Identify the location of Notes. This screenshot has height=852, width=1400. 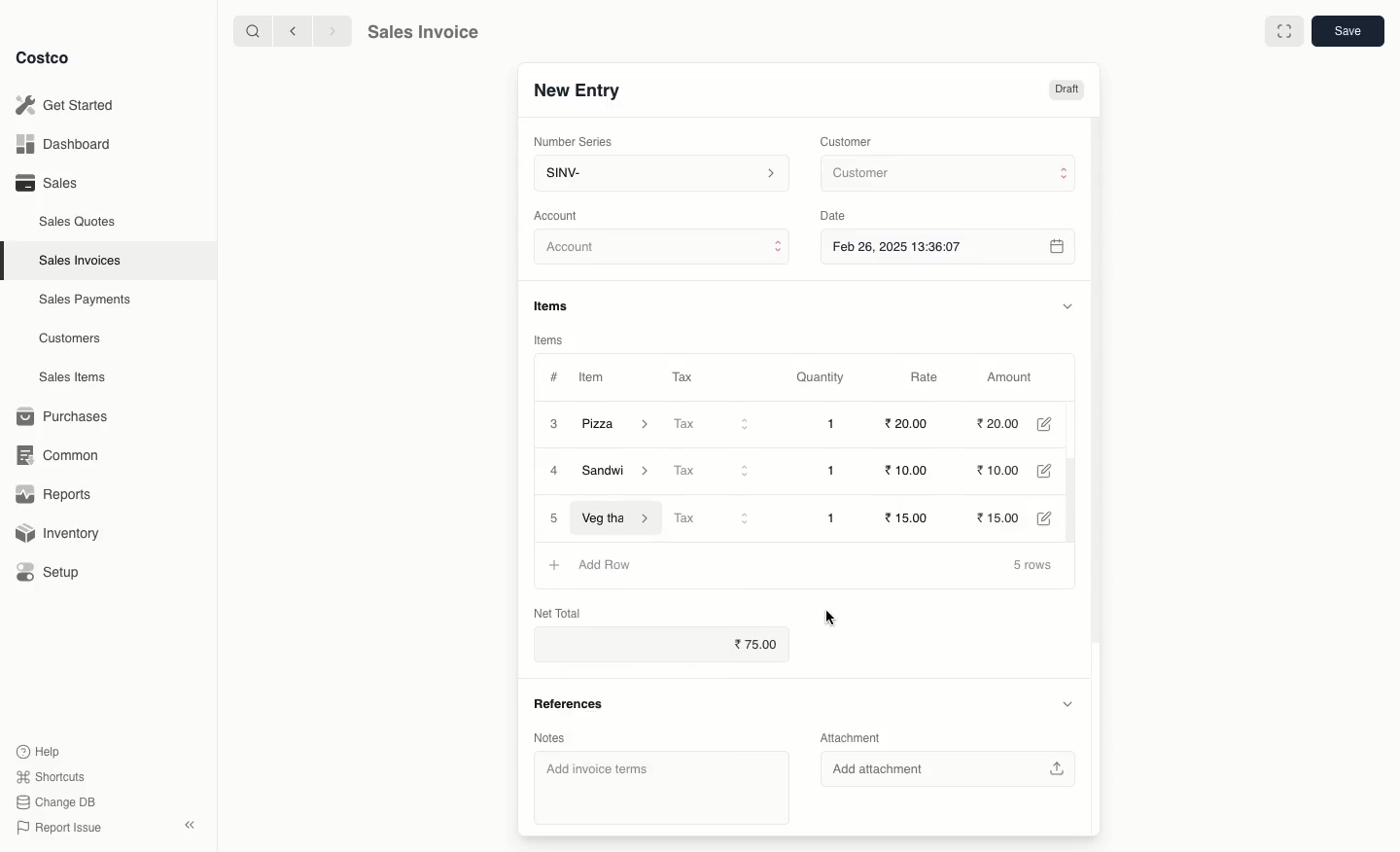
(548, 736).